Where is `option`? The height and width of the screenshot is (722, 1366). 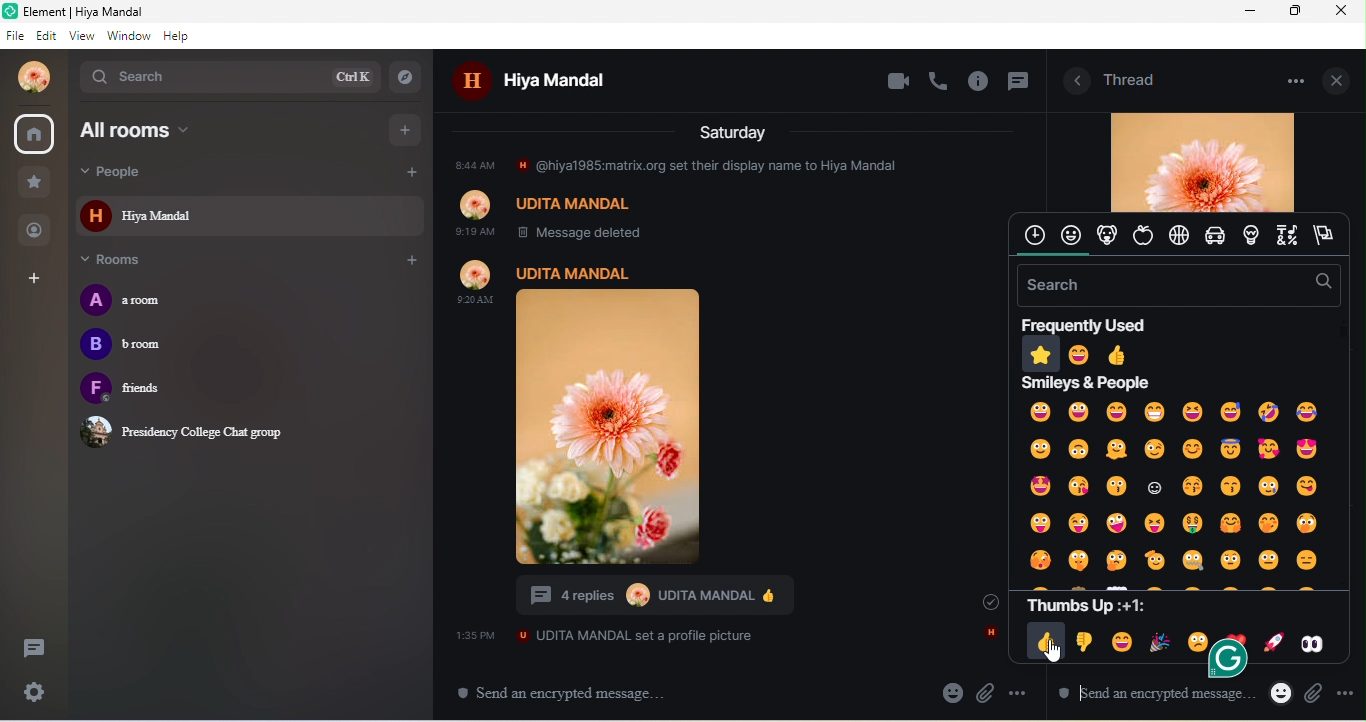 option is located at coordinates (1291, 80).